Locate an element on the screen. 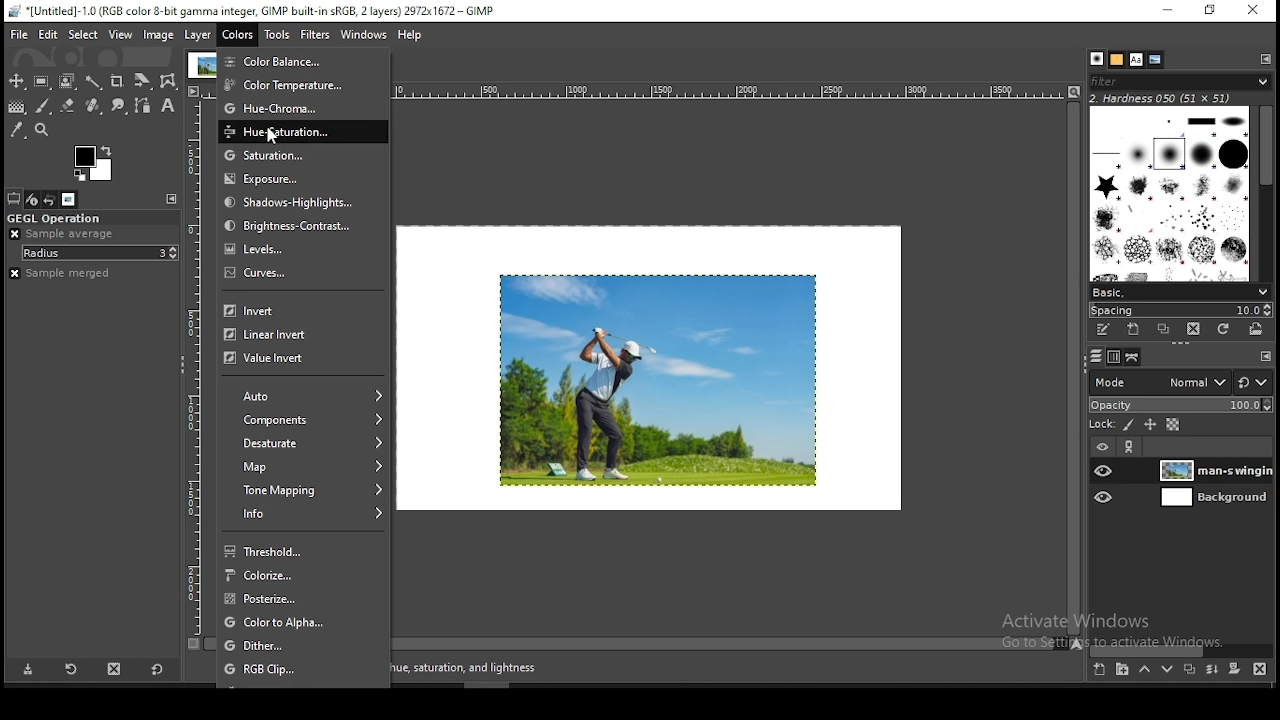 Image resolution: width=1280 pixels, height=720 pixels. delete layer is located at coordinates (1260, 670).